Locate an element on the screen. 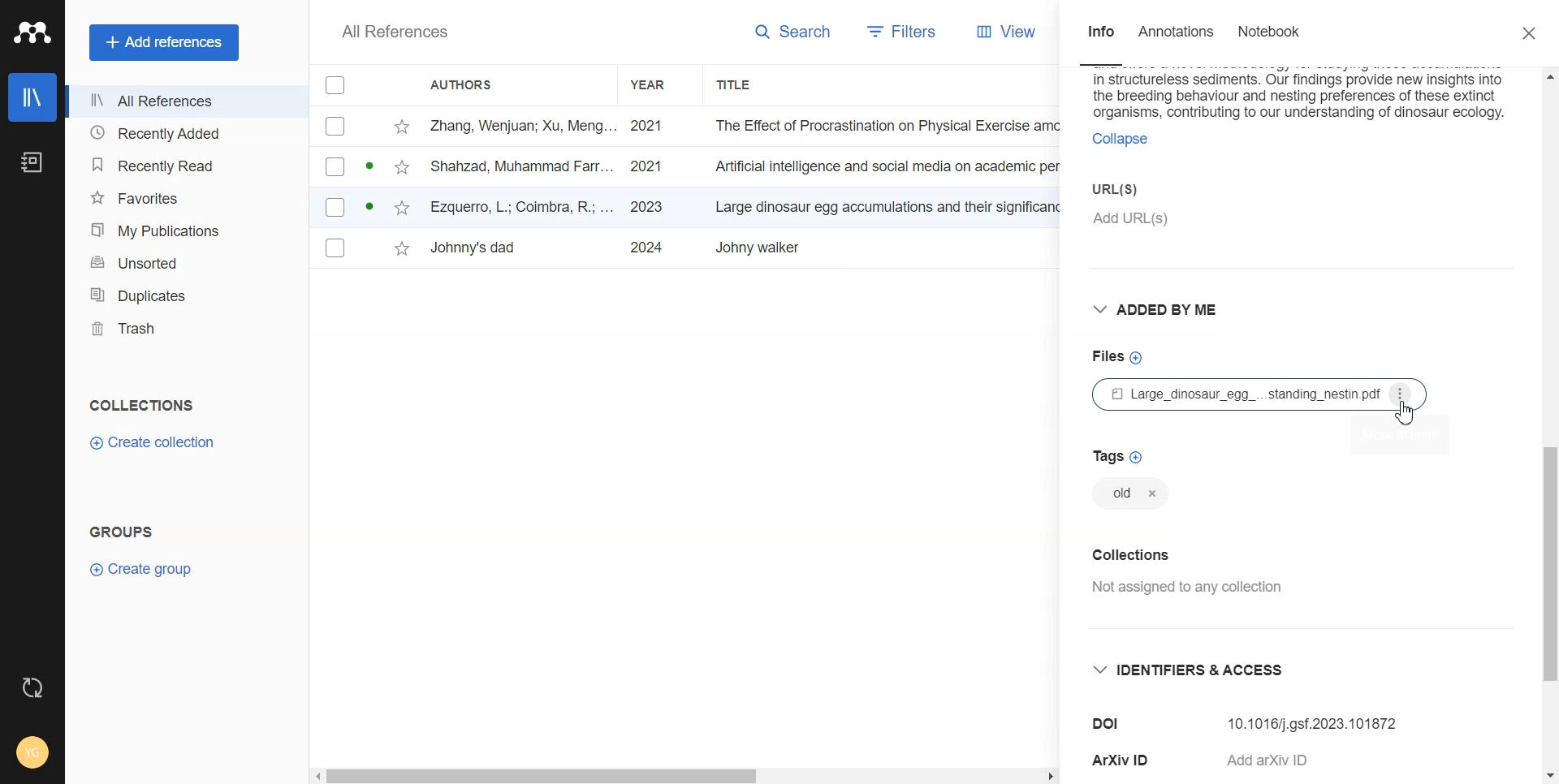  Scroll up is located at coordinates (1547, 75).